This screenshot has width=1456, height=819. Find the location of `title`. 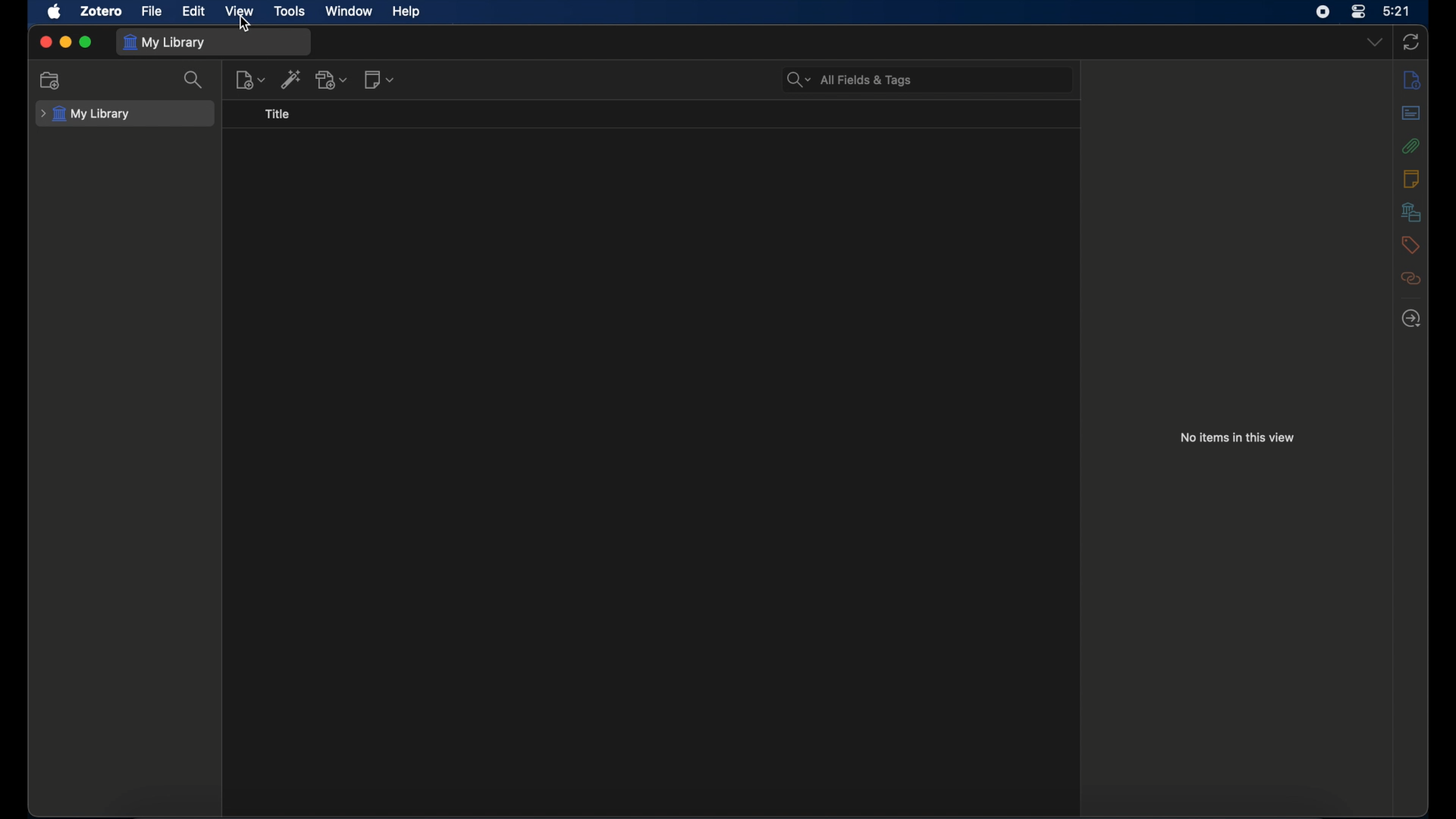

title is located at coordinates (278, 114).